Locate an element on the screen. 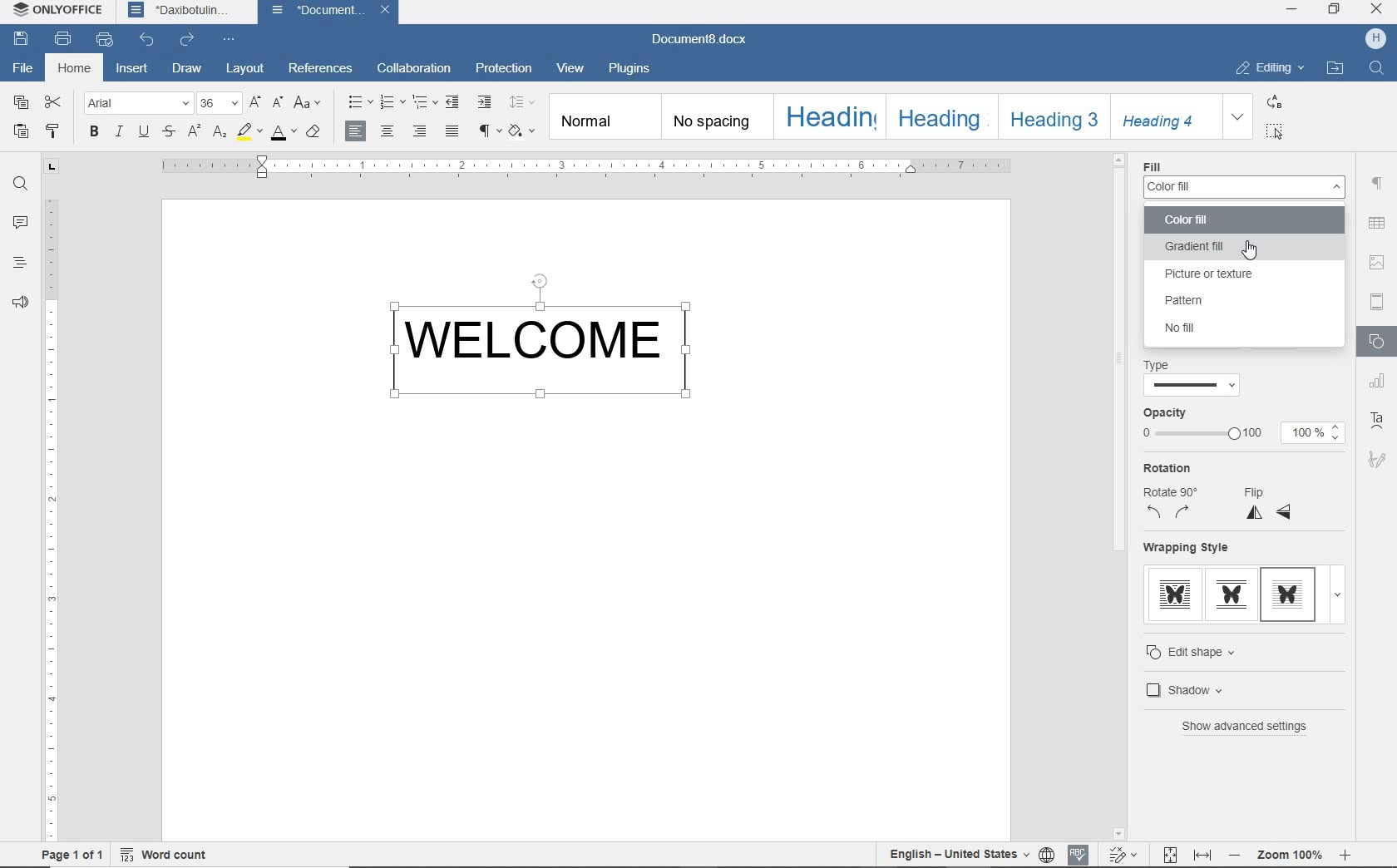 The height and width of the screenshot is (868, 1397). opacity from 0 to 100 is located at coordinates (1201, 435).